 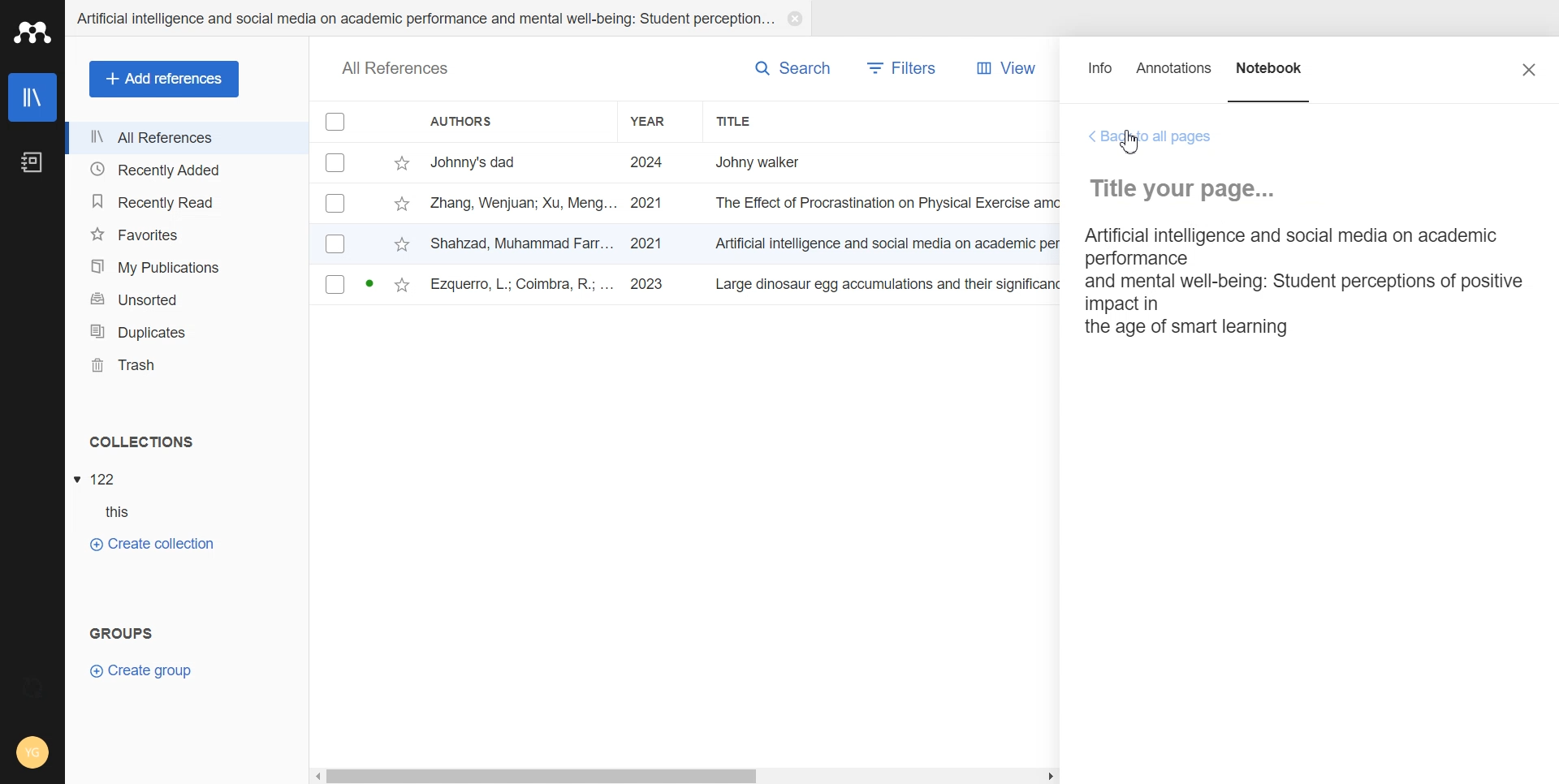 What do you see at coordinates (1175, 75) in the screenshot?
I see `Annotations` at bounding box center [1175, 75].